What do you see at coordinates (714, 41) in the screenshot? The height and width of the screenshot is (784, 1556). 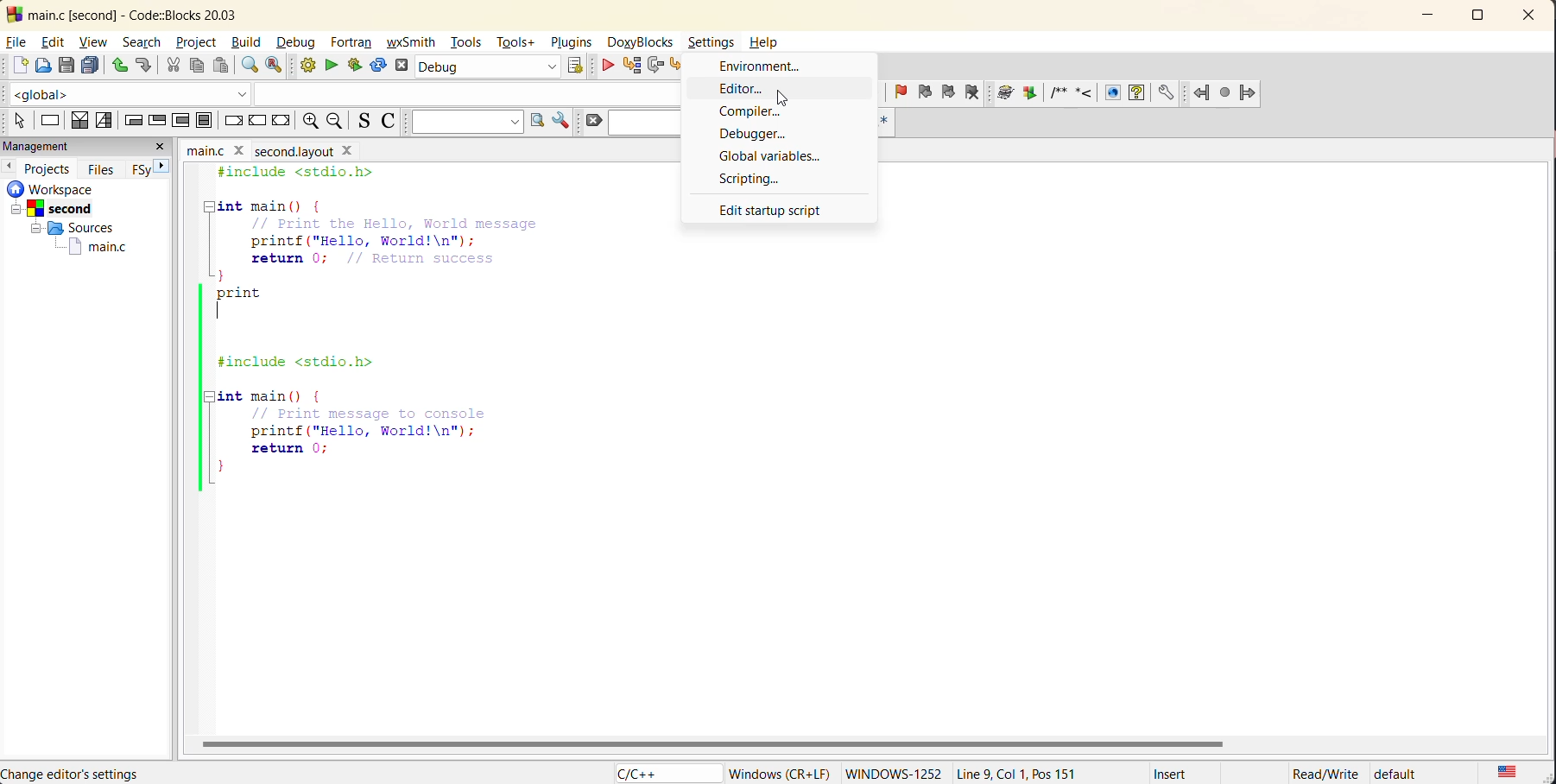 I see `Settings` at bounding box center [714, 41].